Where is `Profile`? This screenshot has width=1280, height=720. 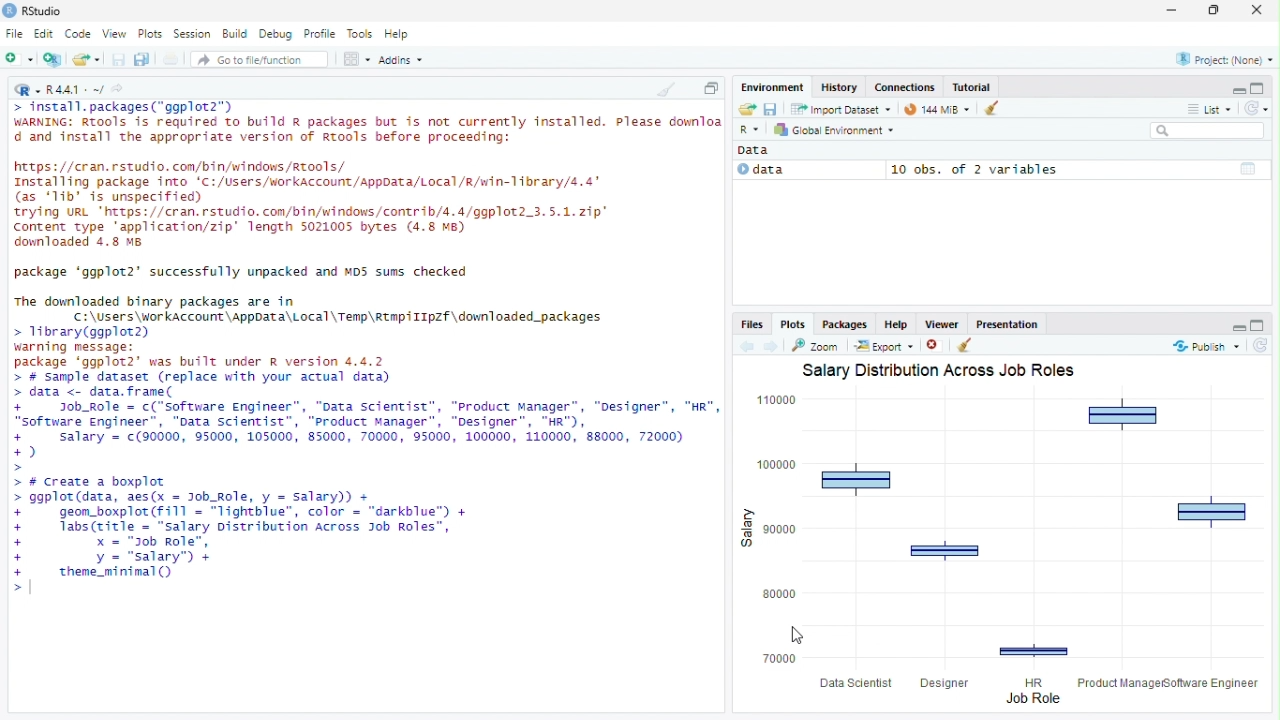
Profile is located at coordinates (320, 34).